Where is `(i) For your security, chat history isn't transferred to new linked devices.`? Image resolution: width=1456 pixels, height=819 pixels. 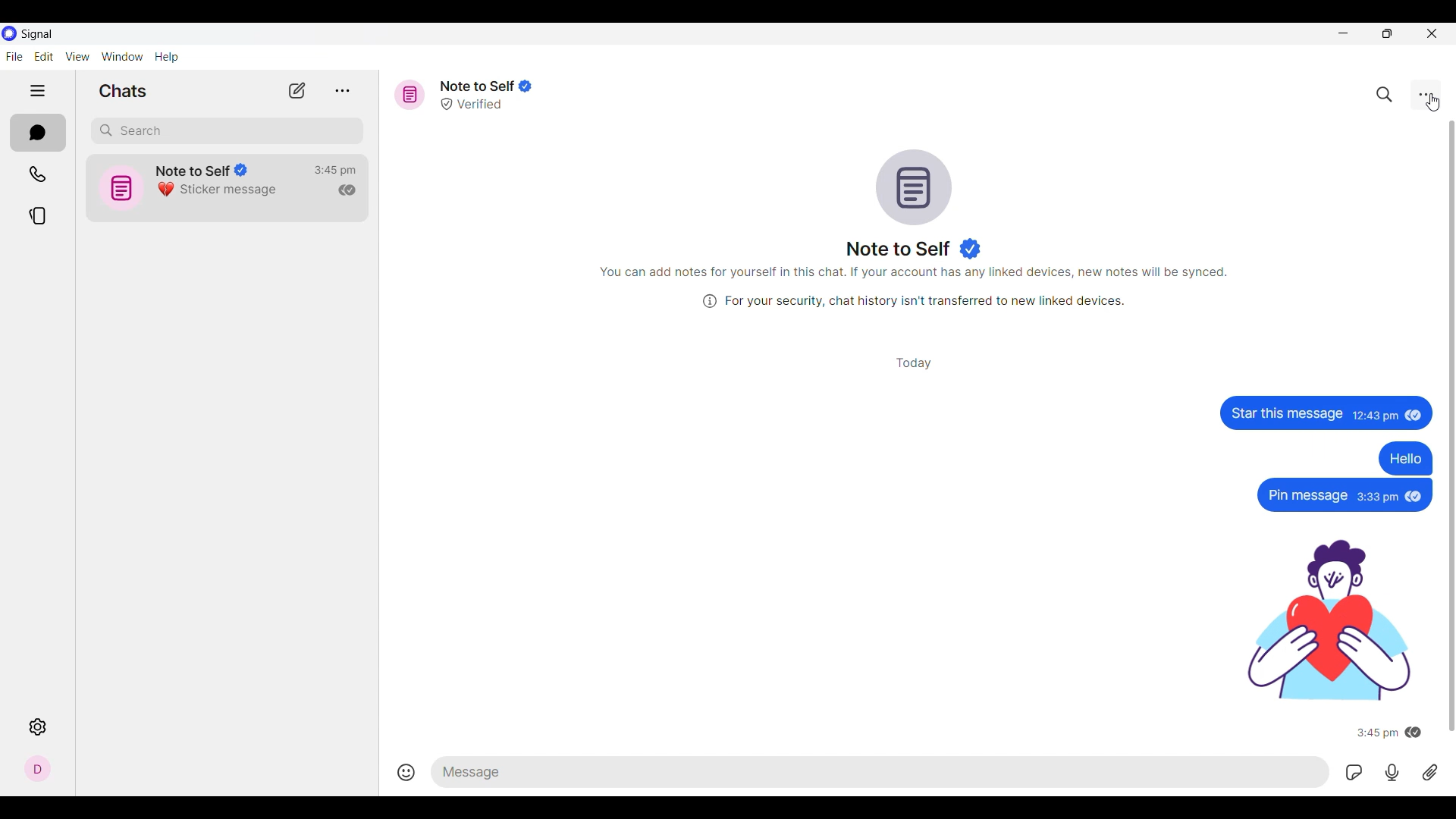 (i) For your security, chat history isn't transferred to new linked devices. is located at coordinates (908, 301).